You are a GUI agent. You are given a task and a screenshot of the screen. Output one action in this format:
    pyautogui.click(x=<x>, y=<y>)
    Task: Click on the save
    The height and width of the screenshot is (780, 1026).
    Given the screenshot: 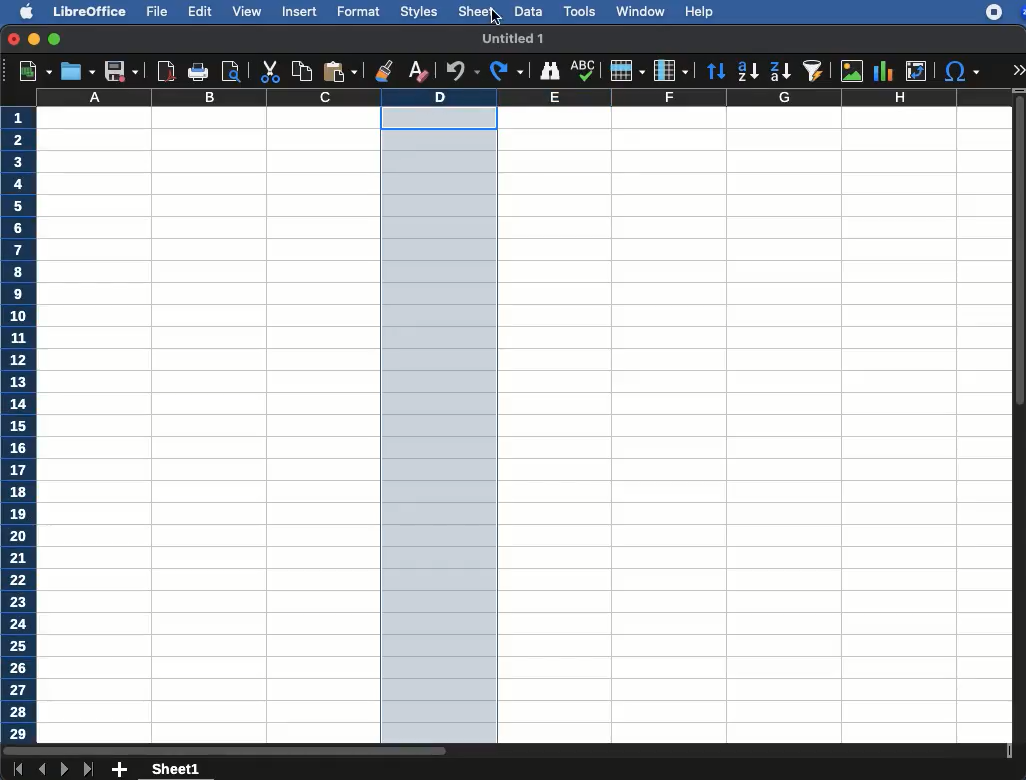 What is the action you would take?
    pyautogui.click(x=120, y=72)
    